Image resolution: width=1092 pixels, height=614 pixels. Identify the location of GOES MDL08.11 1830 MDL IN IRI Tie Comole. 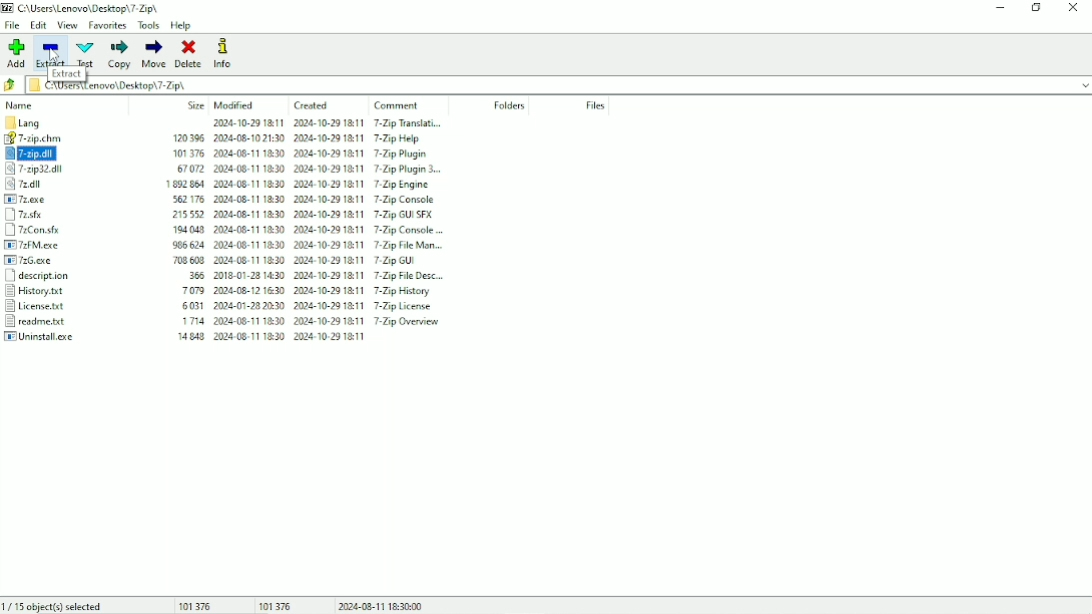
(317, 227).